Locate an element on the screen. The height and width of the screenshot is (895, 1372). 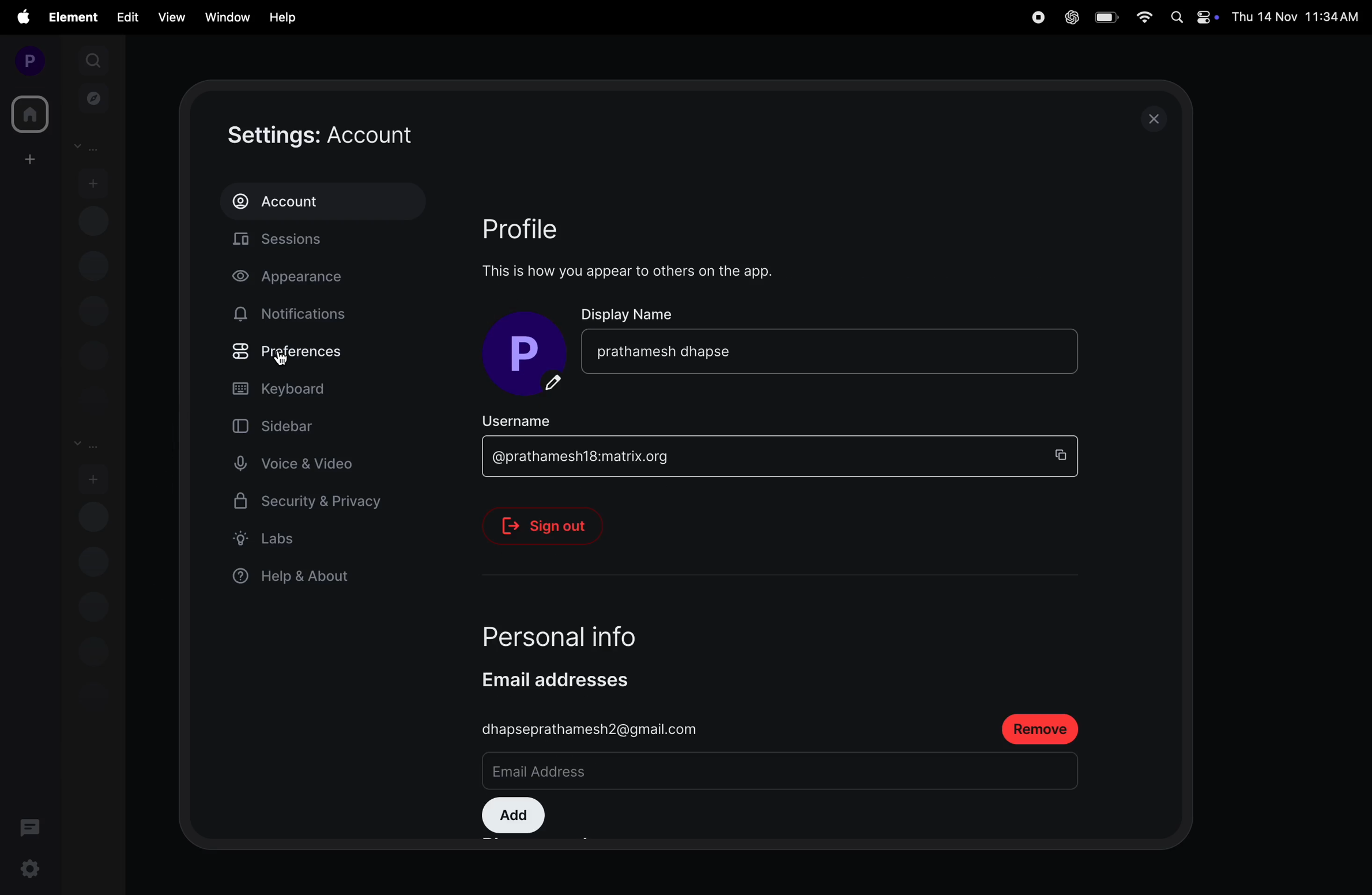
preference is located at coordinates (299, 354).